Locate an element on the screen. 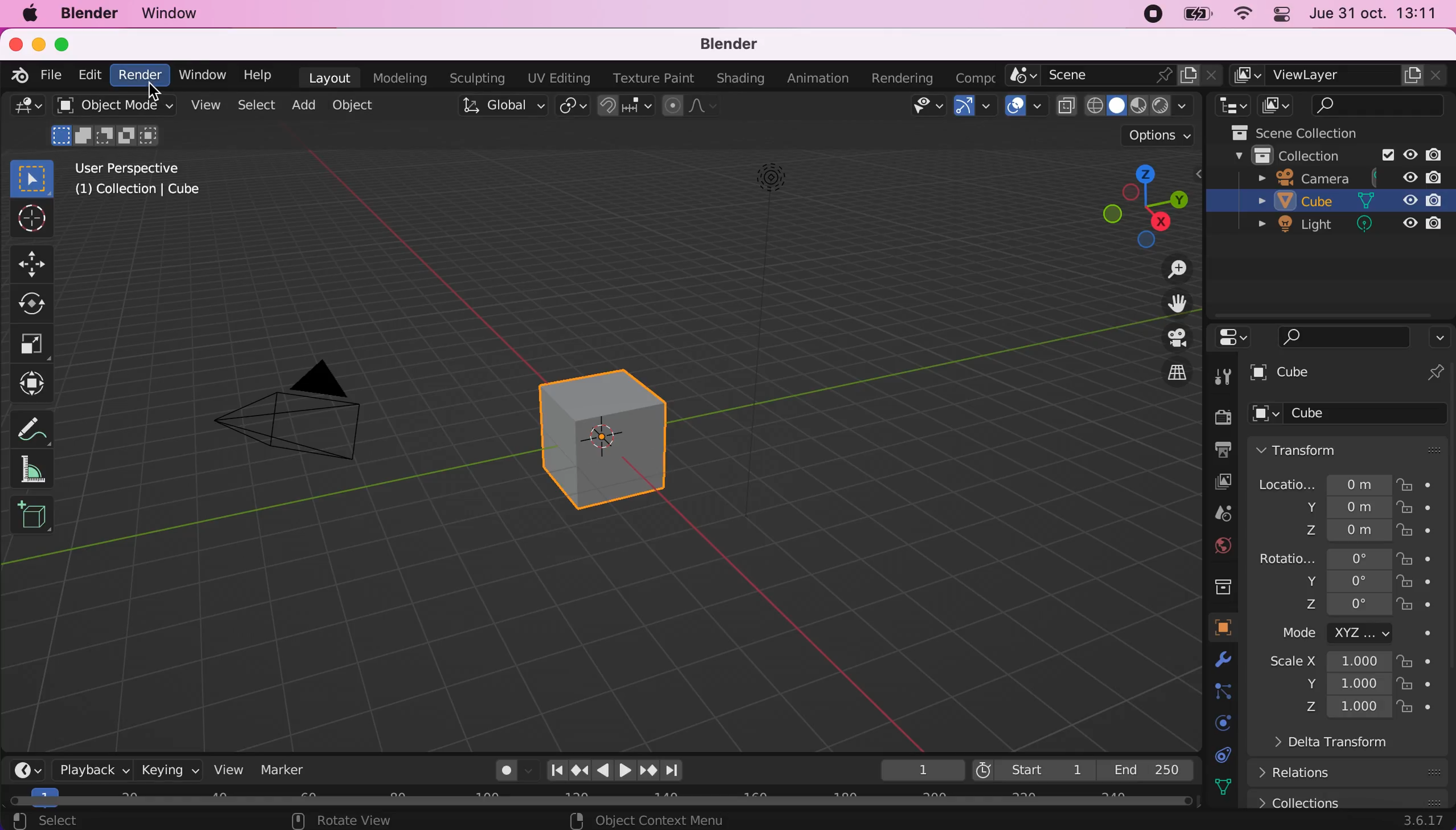 The width and height of the screenshot is (1456, 830). view layer is located at coordinates (1218, 481).